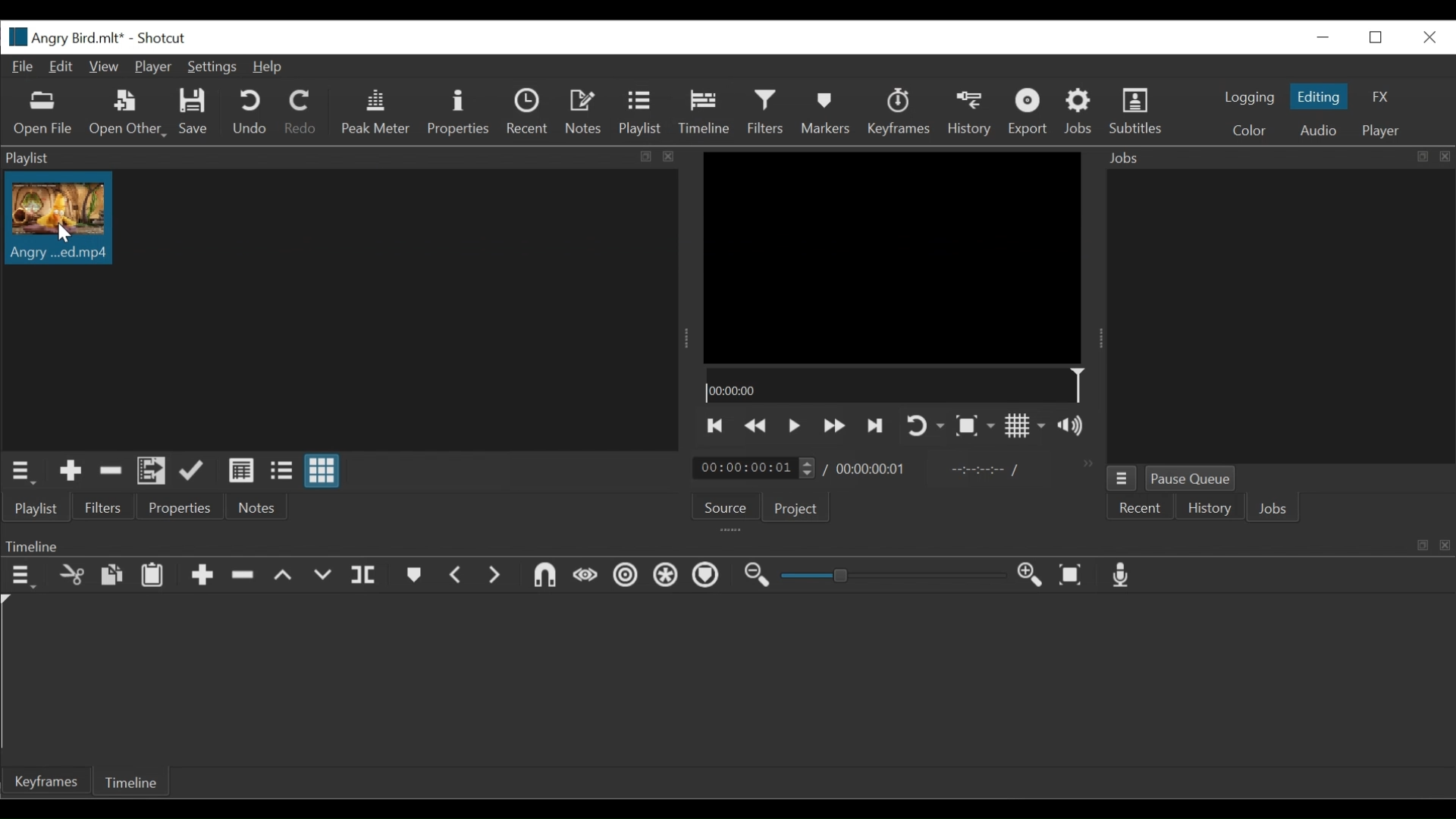 The height and width of the screenshot is (819, 1456). Describe the element at coordinates (715, 425) in the screenshot. I see `Skip to the previous point` at that location.